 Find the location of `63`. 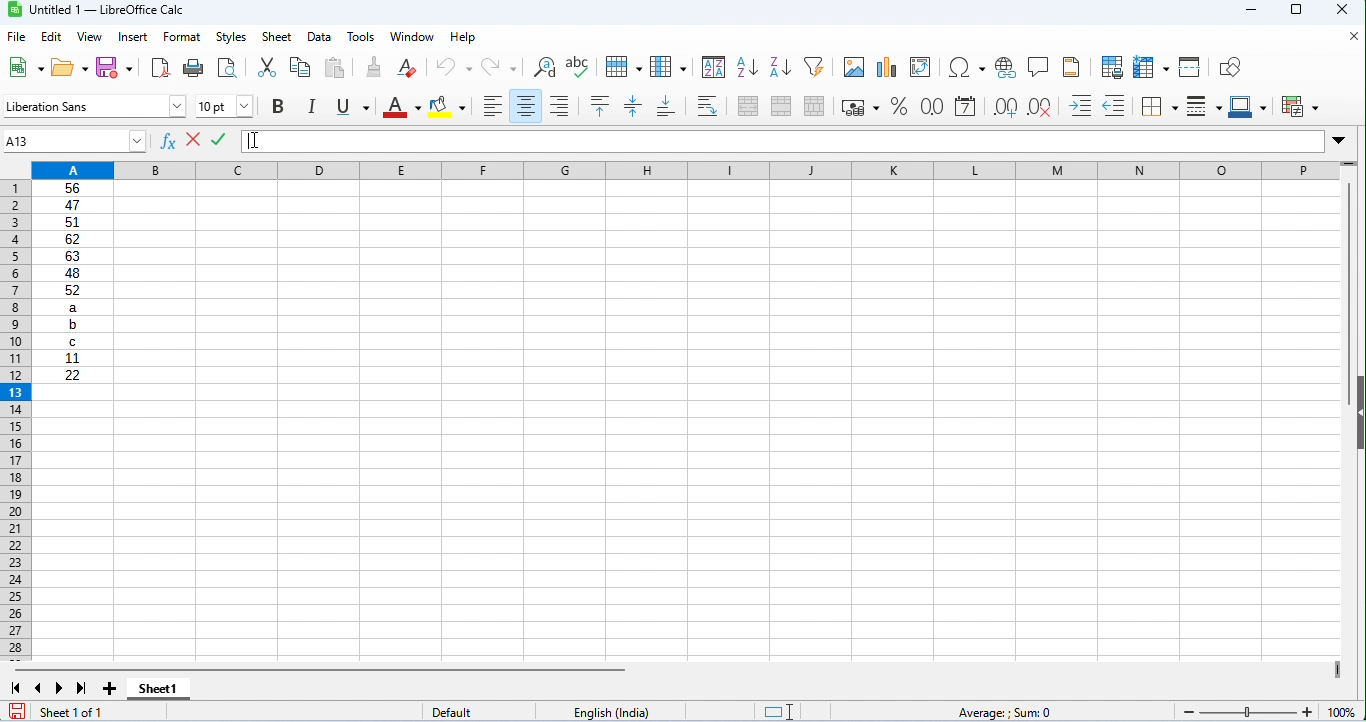

63 is located at coordinates (72, 256).